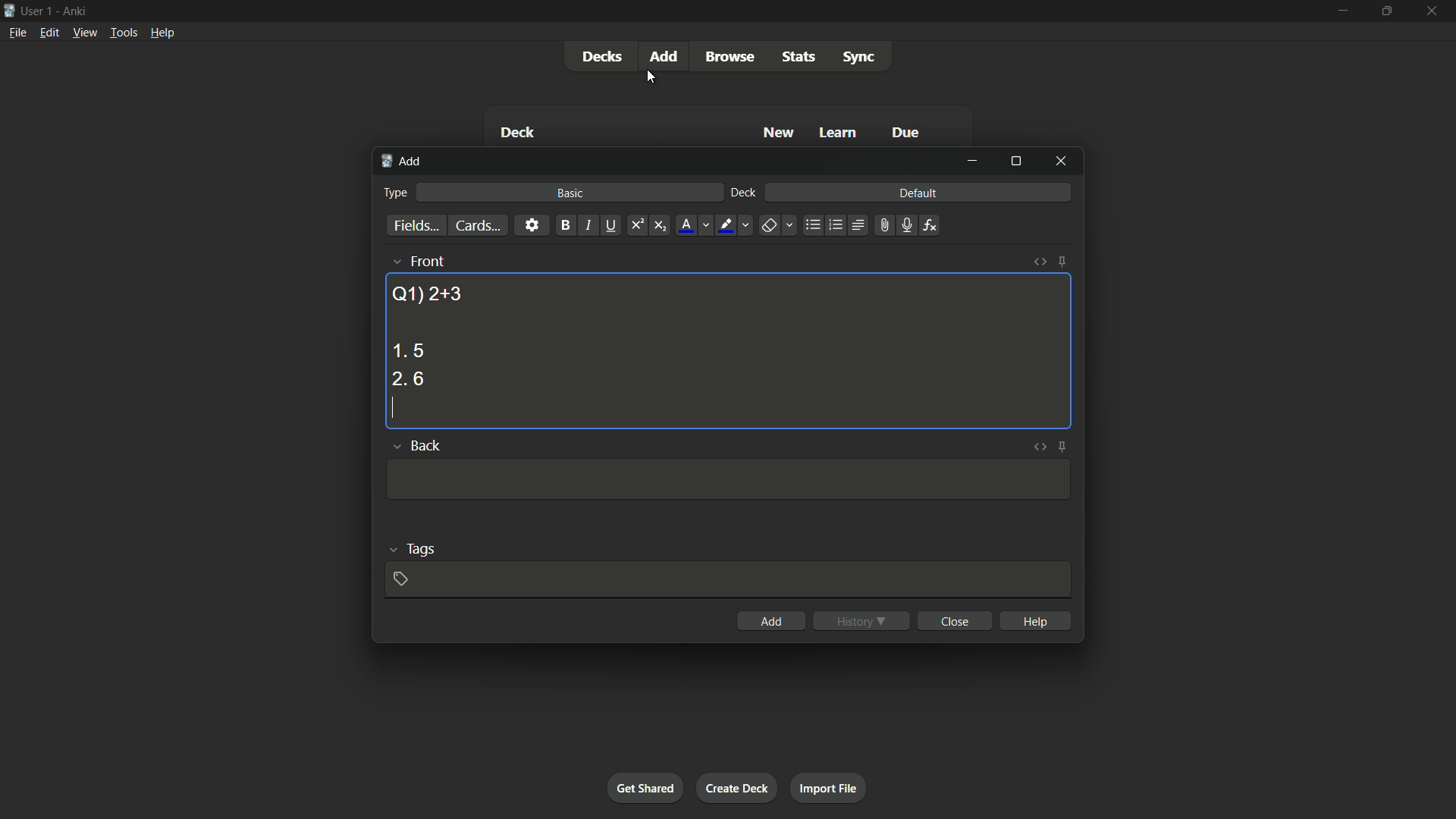 The width and height of the screenshot is (1456, 819). I want to click on option 2, so click(408, 380).